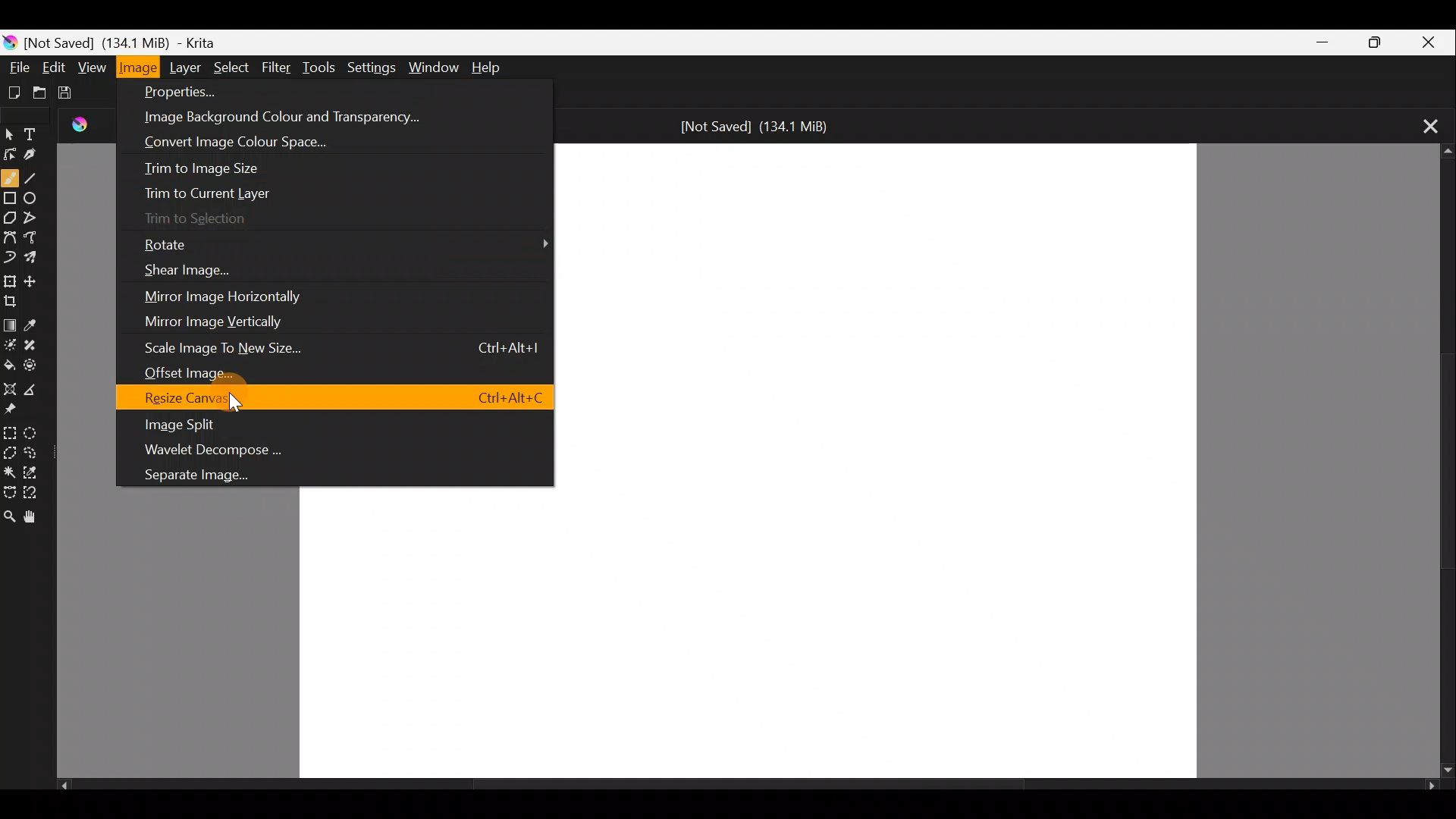 The image size is (1456, 819). I want to click on Cursor, so click(235, 403).